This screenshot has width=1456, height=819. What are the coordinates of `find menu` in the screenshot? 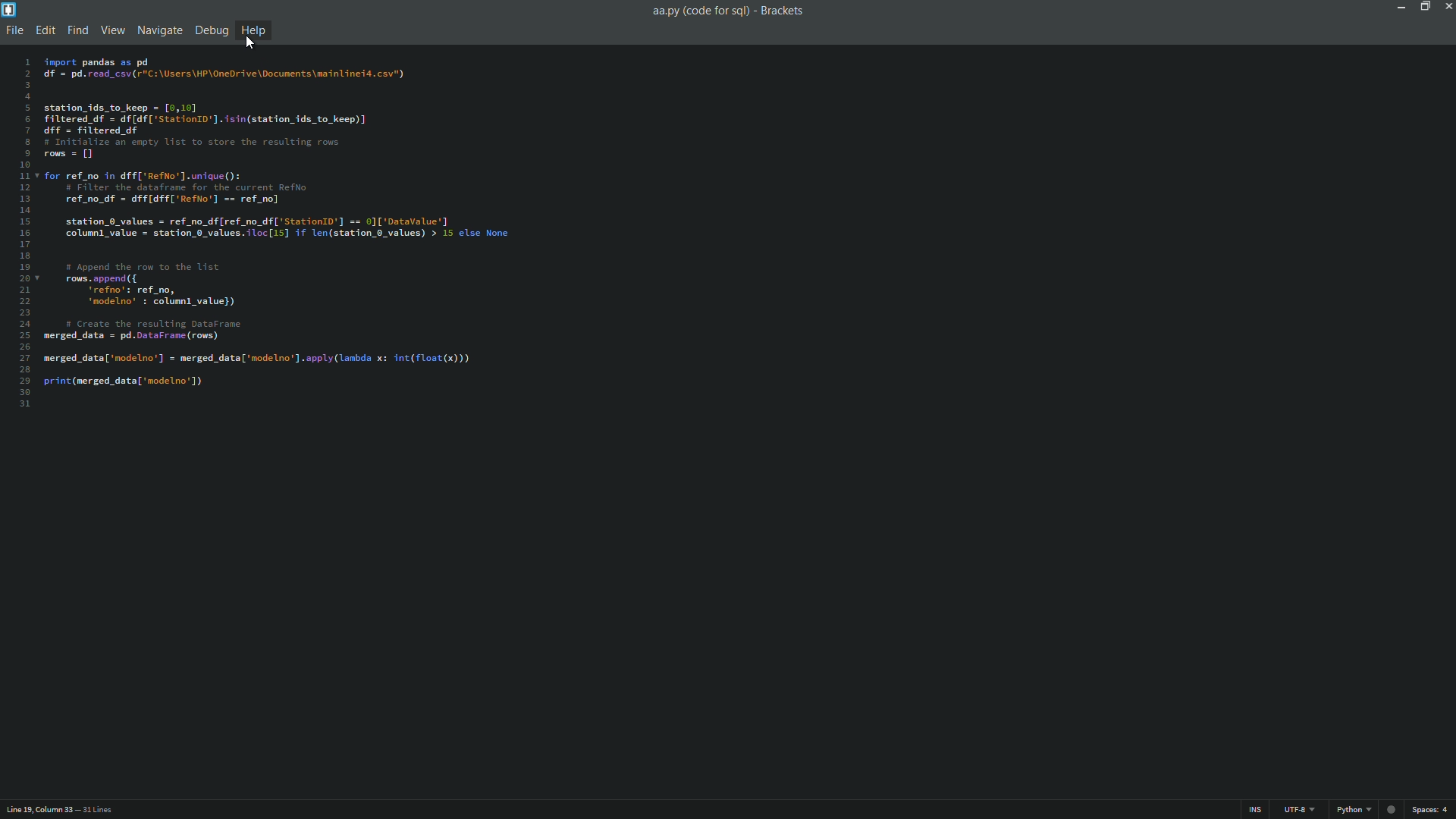 It's located at (77, 30).